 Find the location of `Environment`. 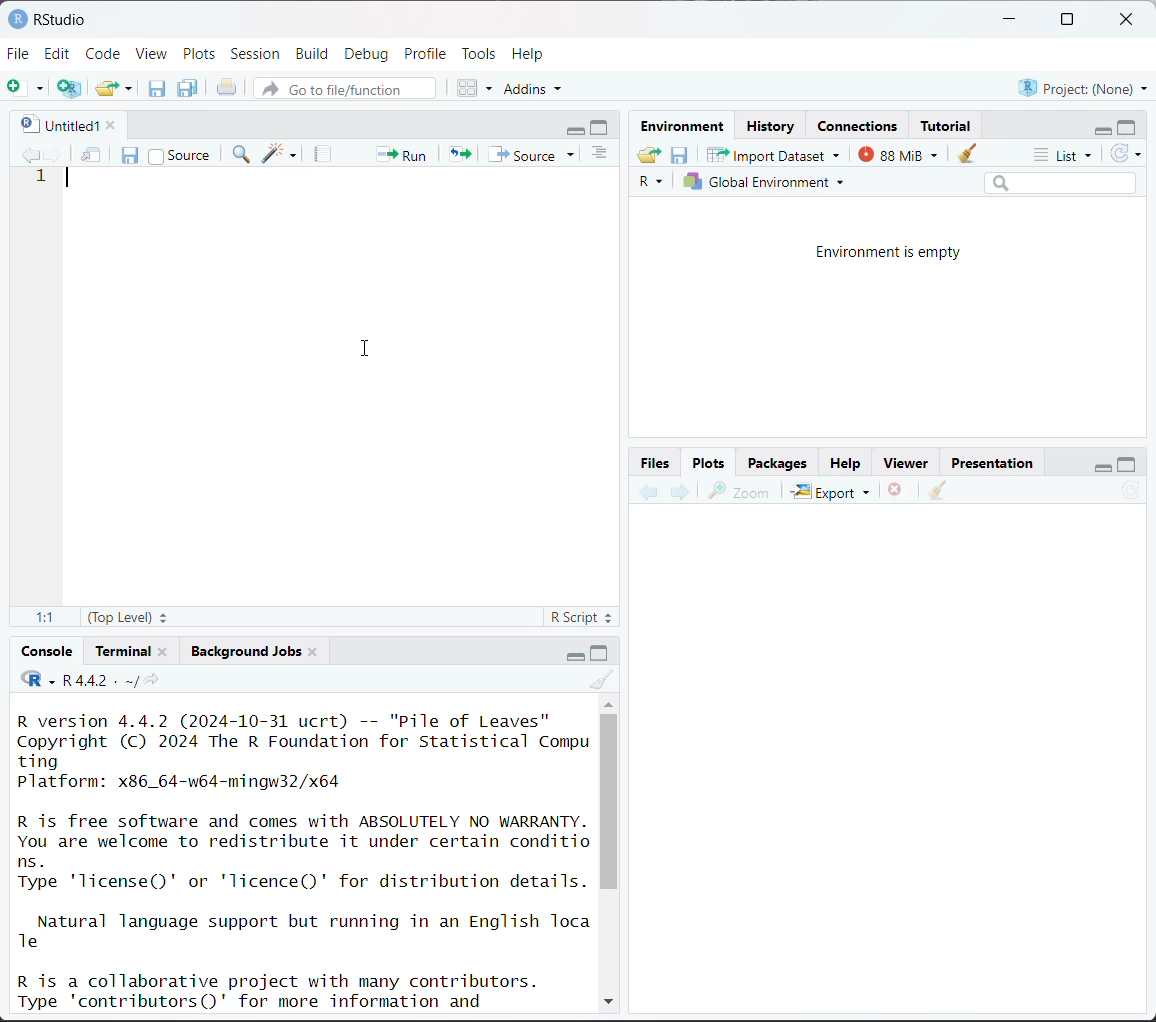

Environment is located at coordinates (686, 127).